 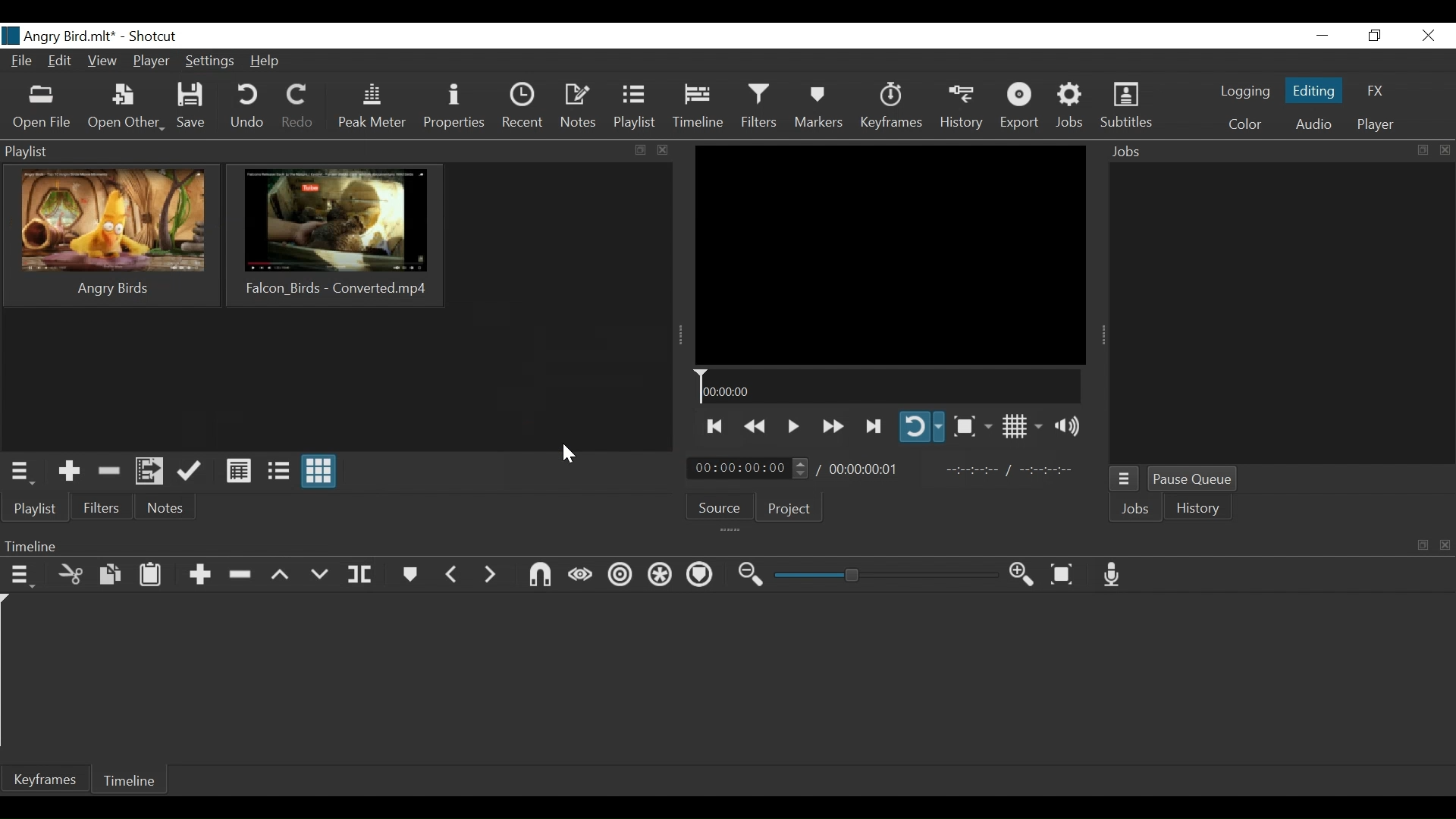 What do you see at coordinates (246, 108) in the screenshot?
I see `Undo` at bounding box center [246, 108].